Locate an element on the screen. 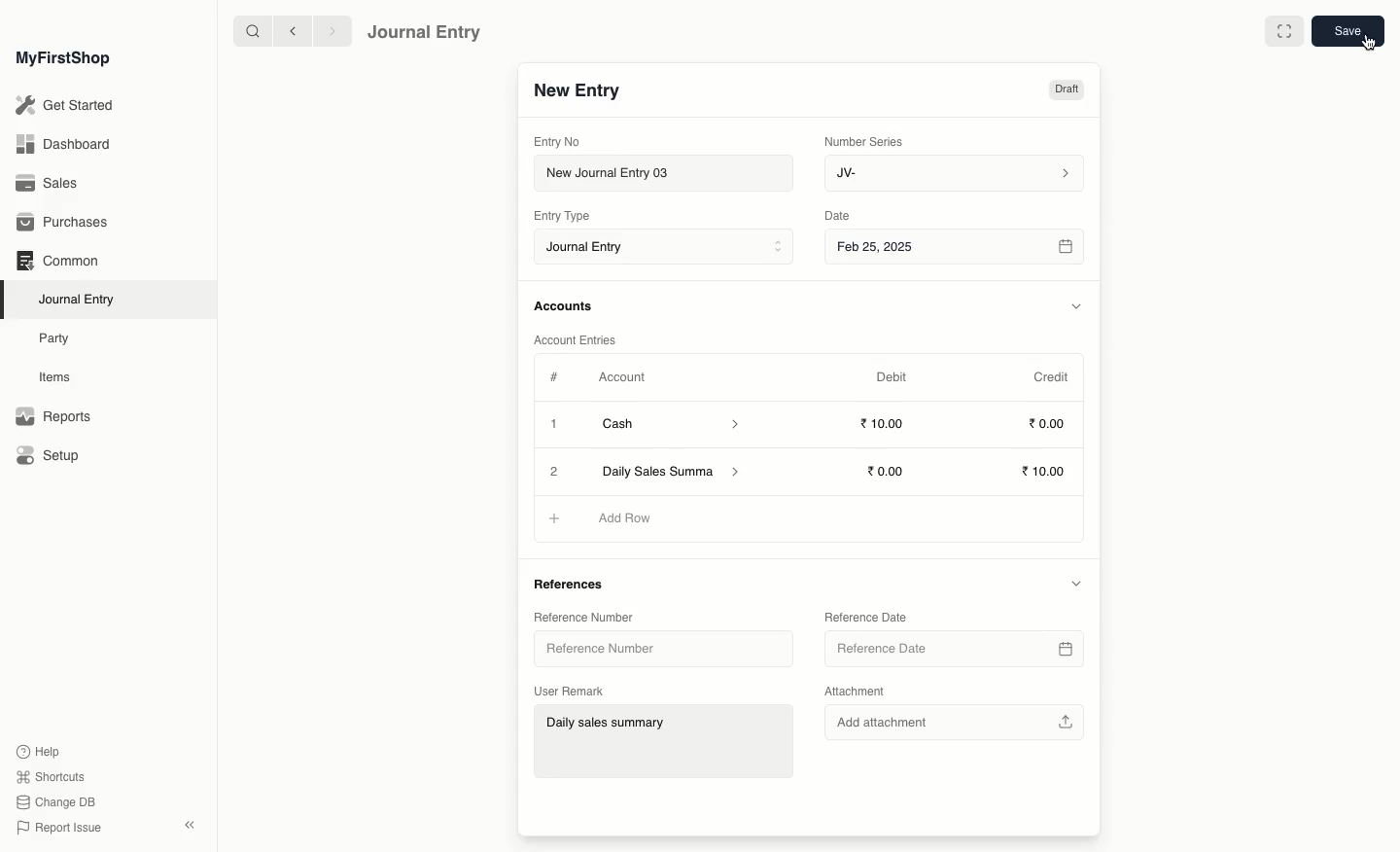  New Entry is located at coordinates (577, 91).